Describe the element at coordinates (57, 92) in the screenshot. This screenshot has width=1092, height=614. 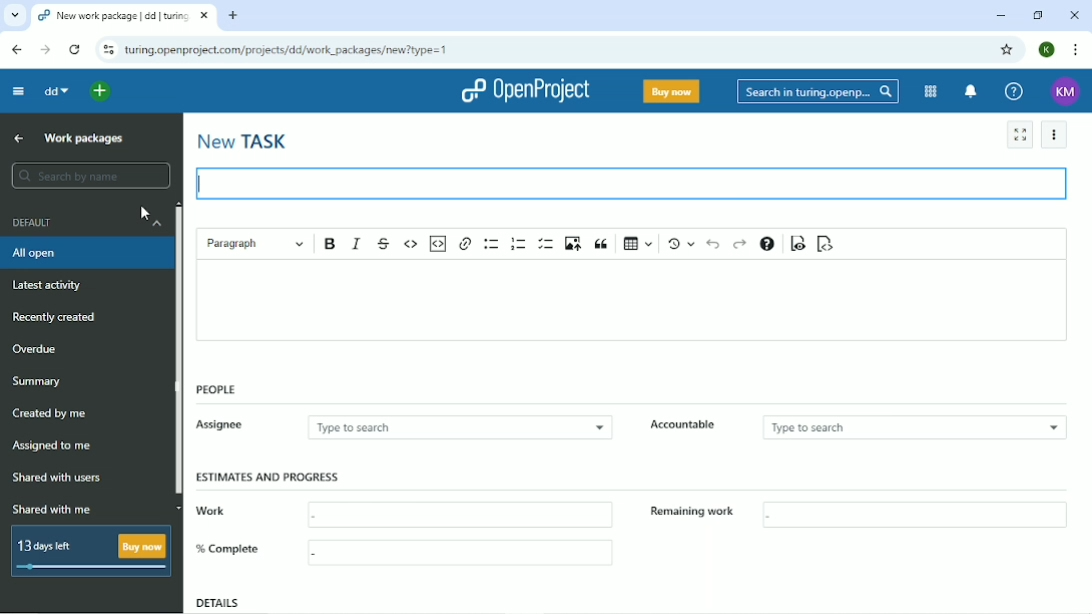
I see `dd` at that location.